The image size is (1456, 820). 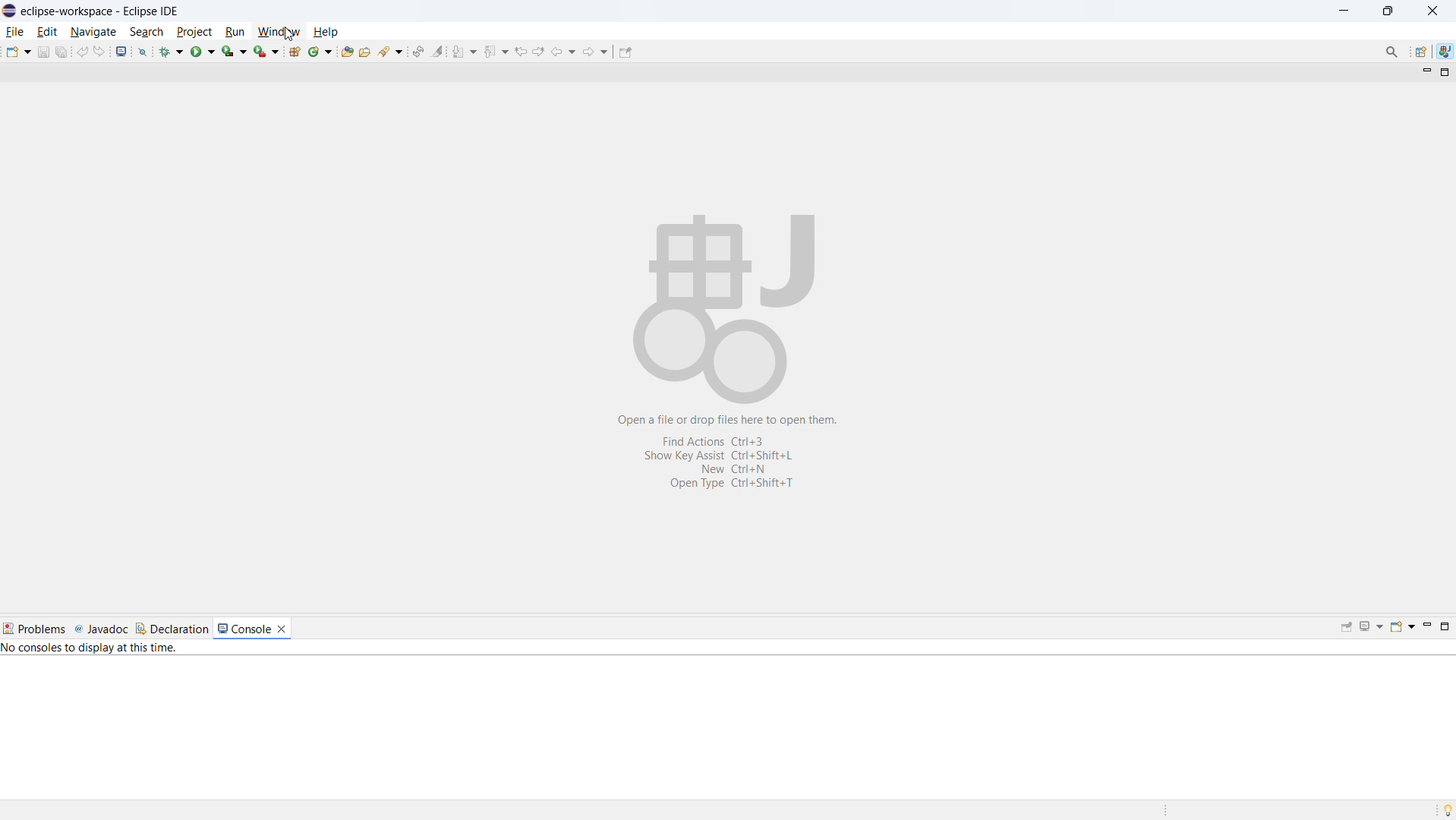 What do you see at coordinates (9, 11) in the screenshot?
I see `logo` at bounding box center [9, 11].